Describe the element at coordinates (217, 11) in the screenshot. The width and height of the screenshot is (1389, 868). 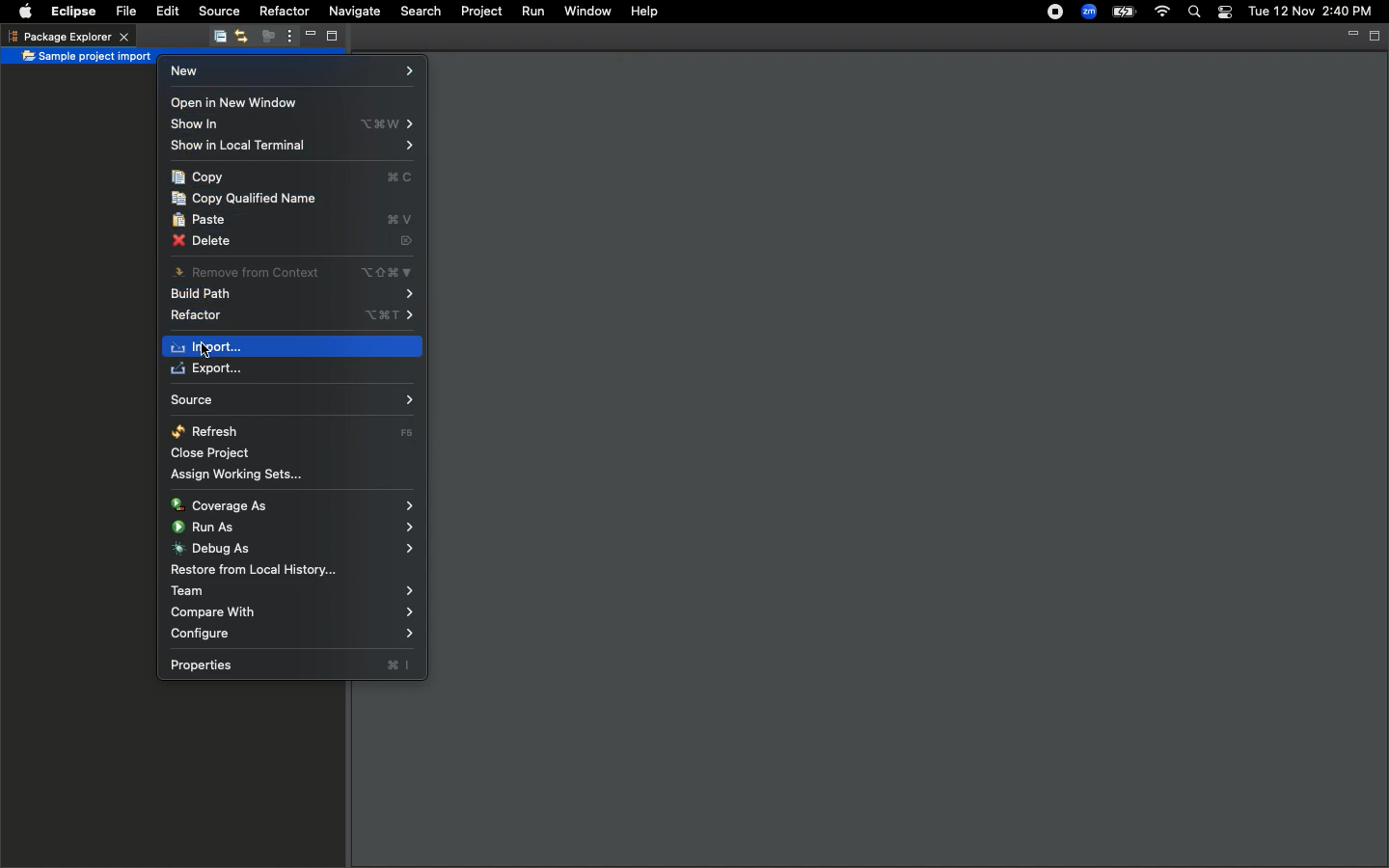
I see `Source` at that location.